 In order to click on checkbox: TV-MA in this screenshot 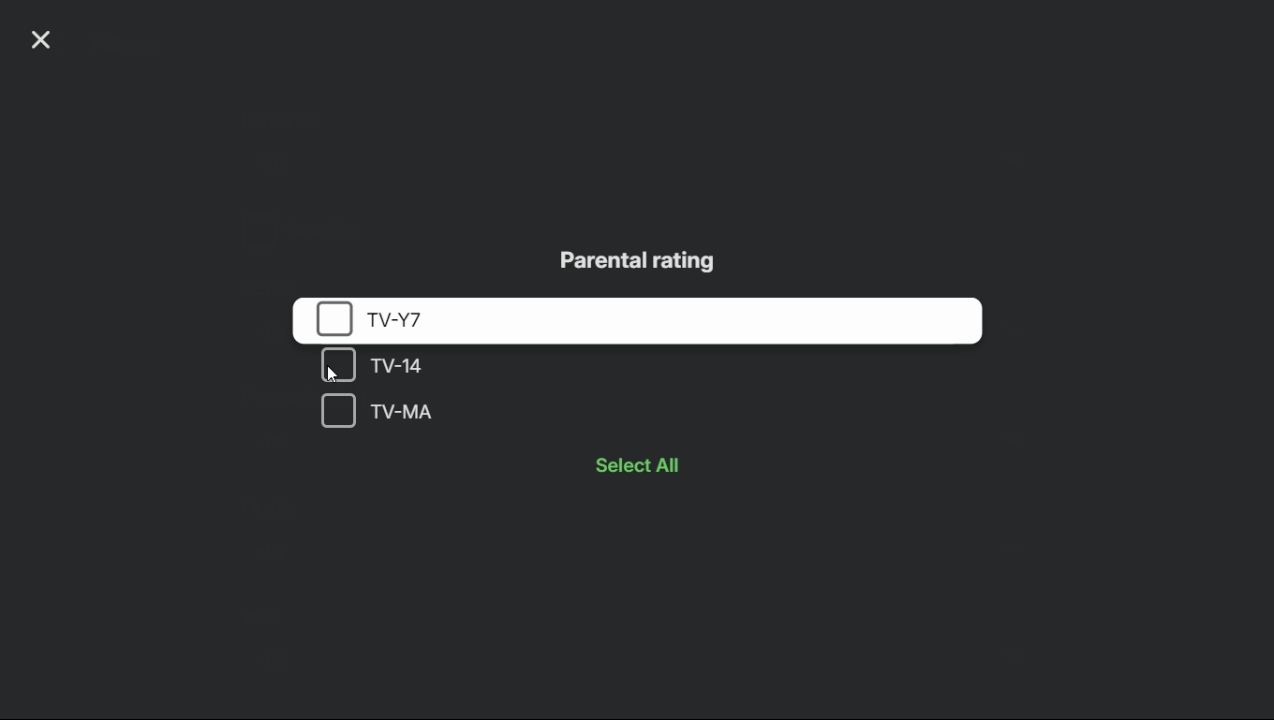, I will do `click(477, 411)`.